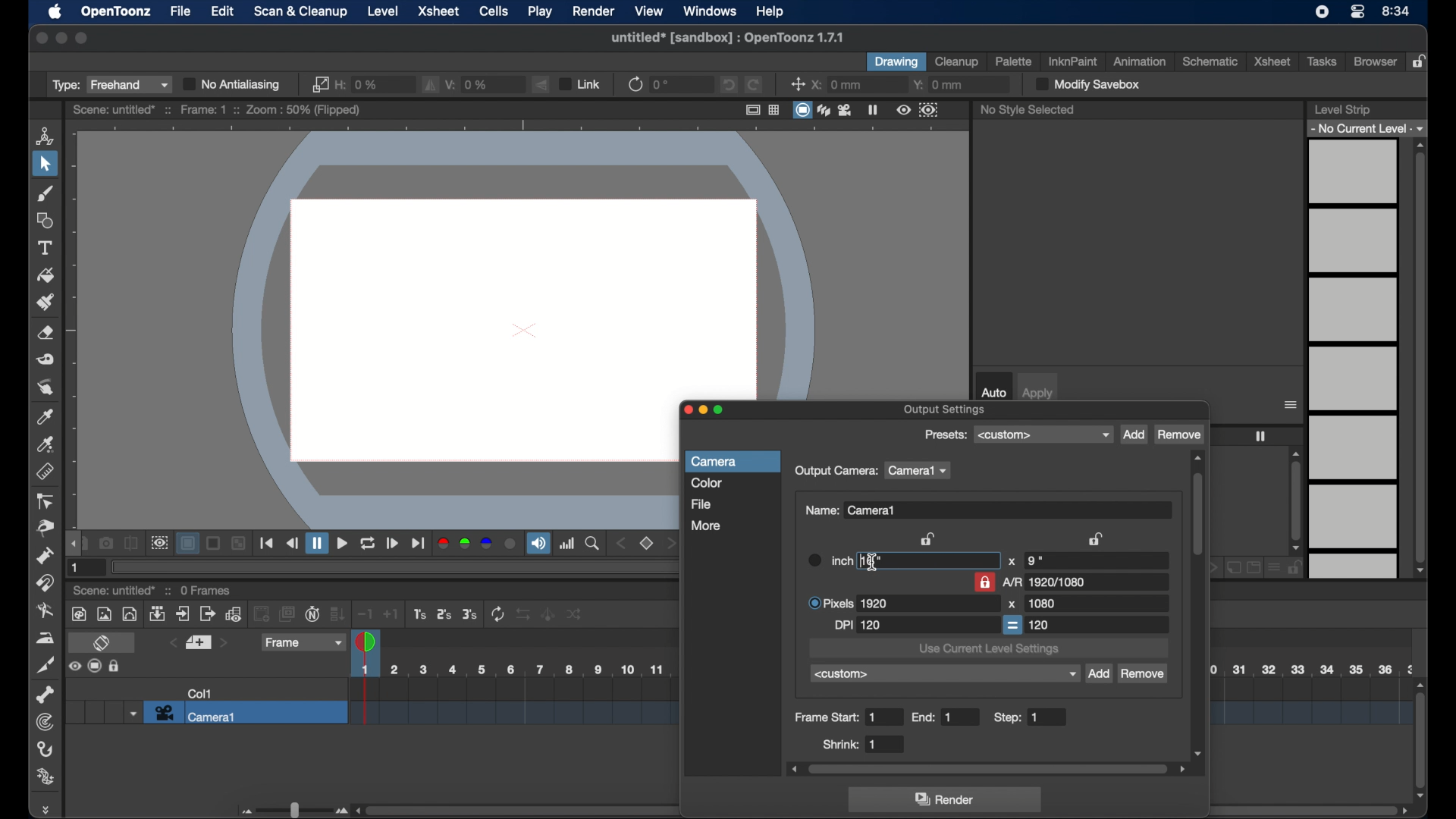  I want to click on x, so click(836, 84).